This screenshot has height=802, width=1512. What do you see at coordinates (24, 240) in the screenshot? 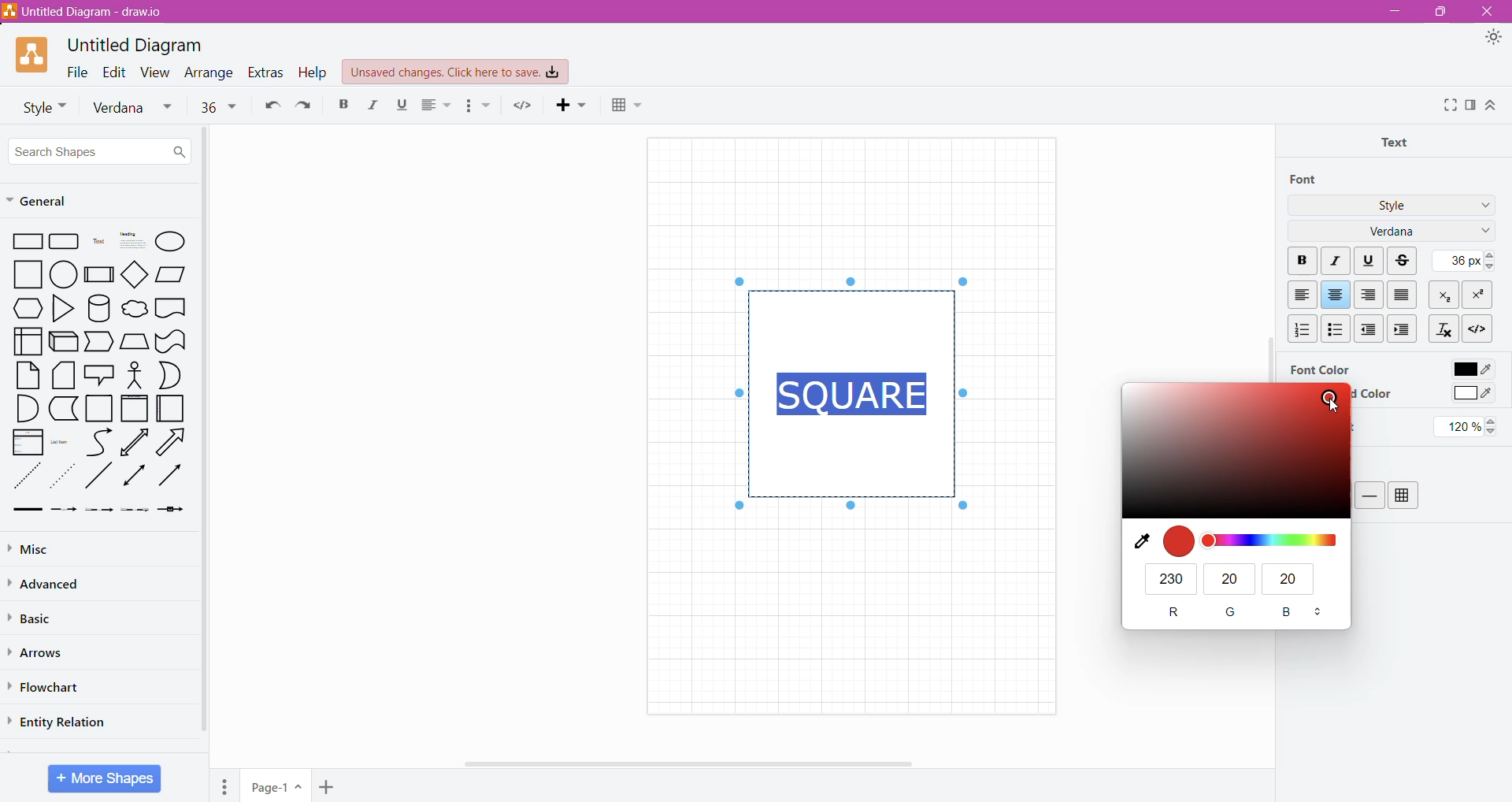
I see `Rectangle` at bounding box center [24, 240].